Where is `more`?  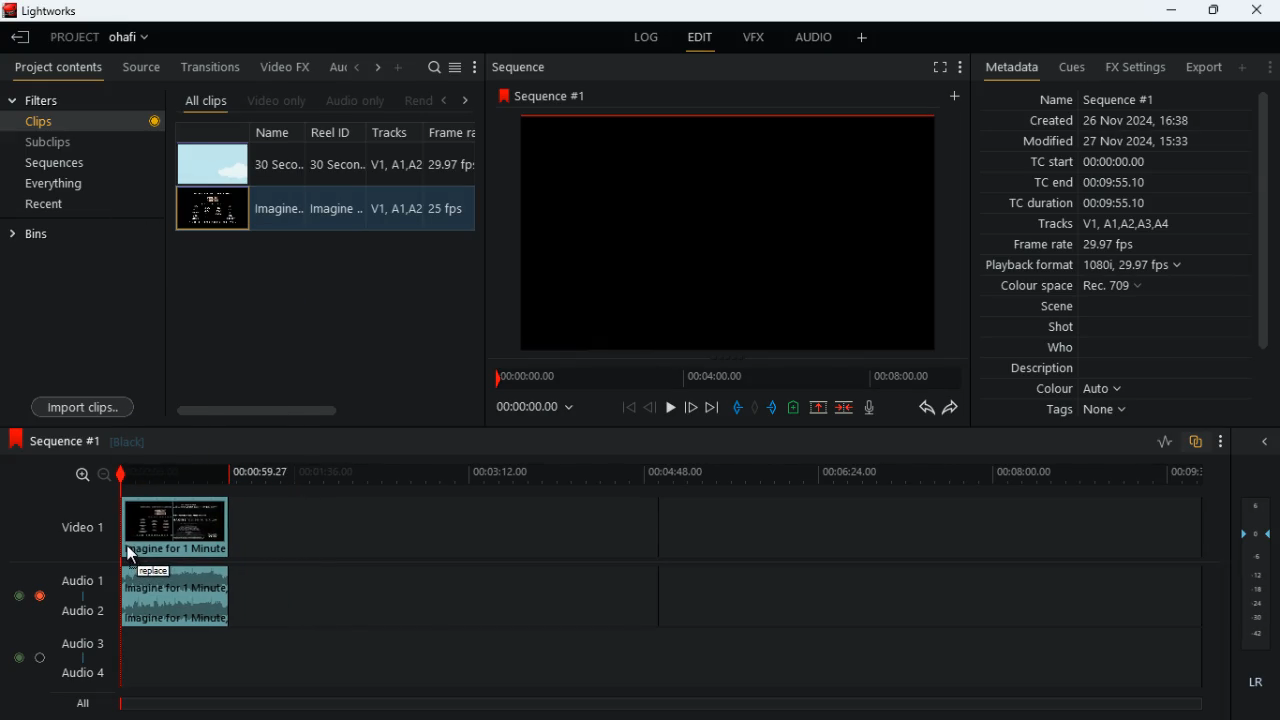 more is located at coordinates (1216, 440).